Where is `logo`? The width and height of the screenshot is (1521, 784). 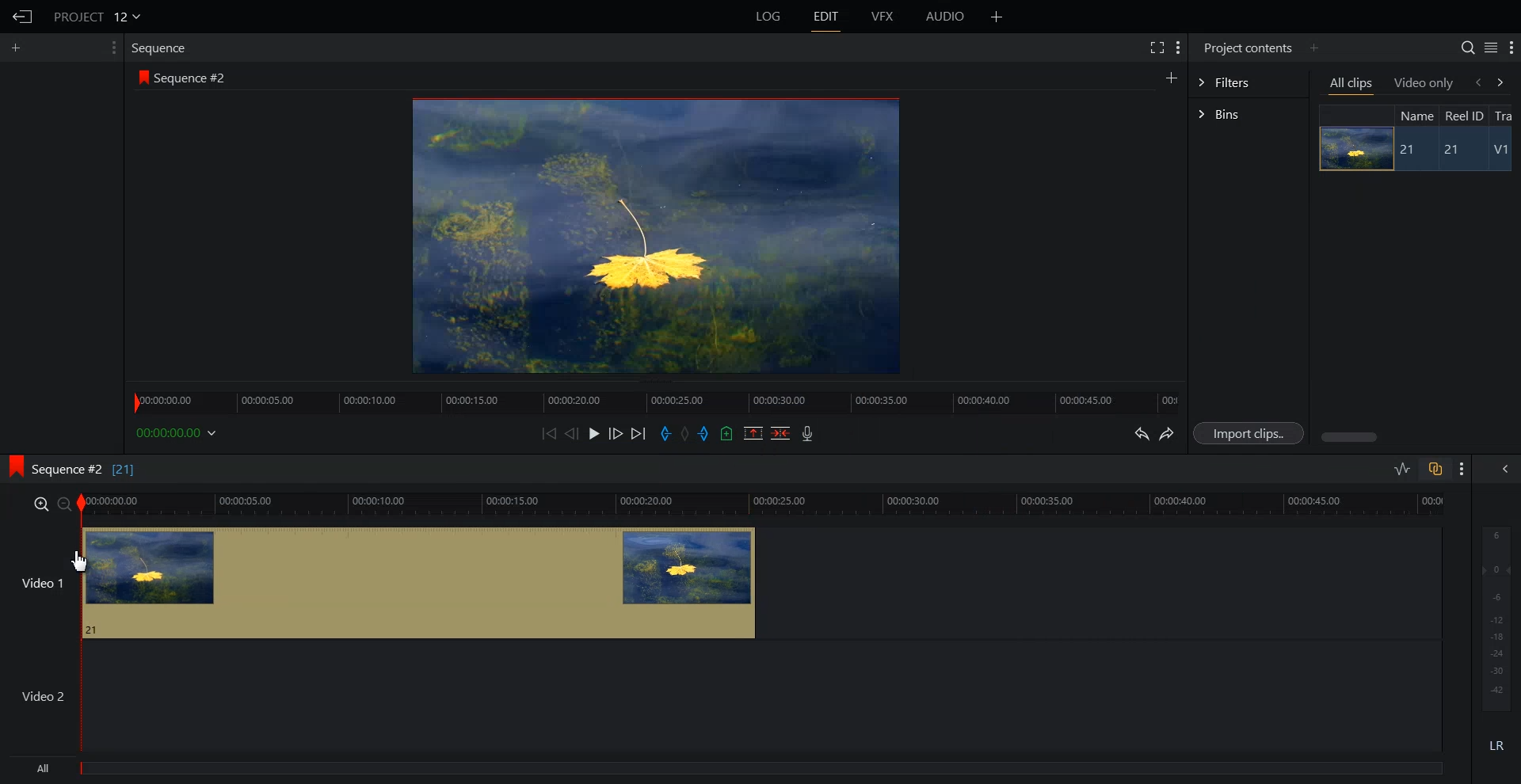
logo is located at coordinates (11, 464).